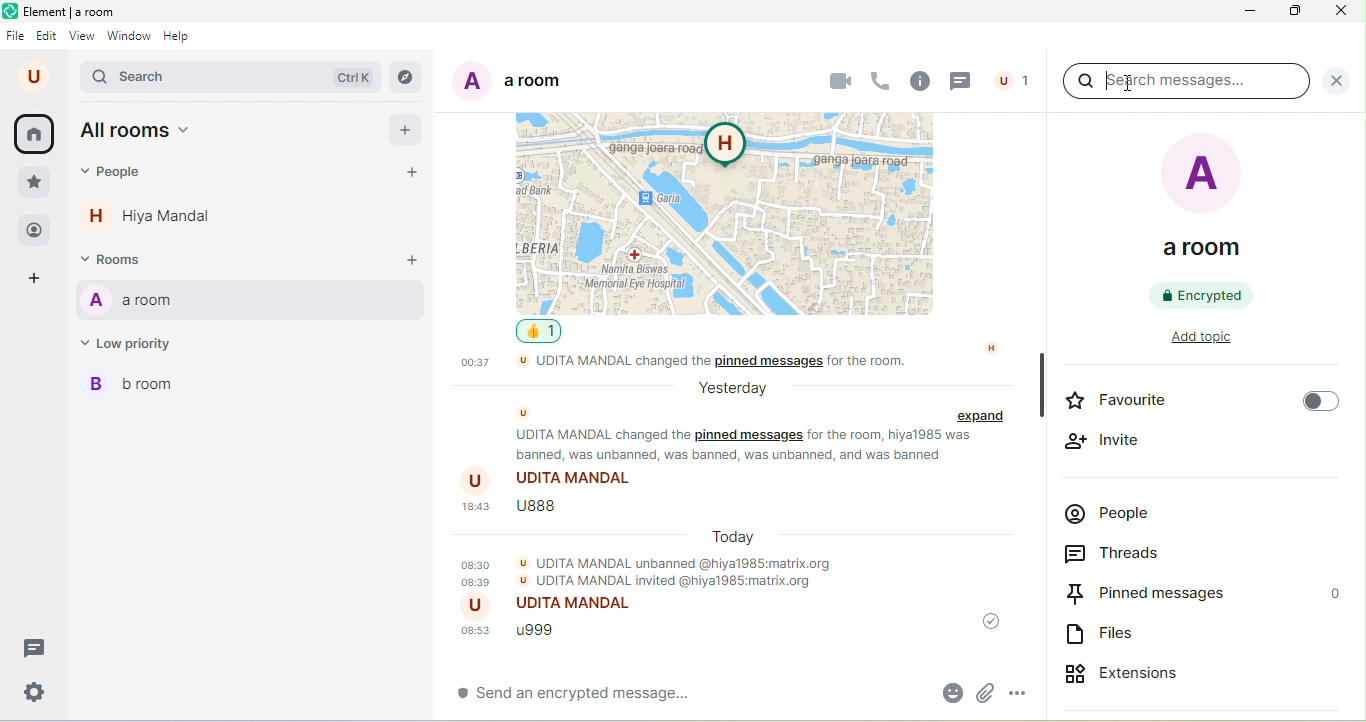 The height and width of the screenshot is (722, 1366). What do you see at coordinates (987, 691) in the screenshot?
I see `attachment` at bounding box center [987, 691].